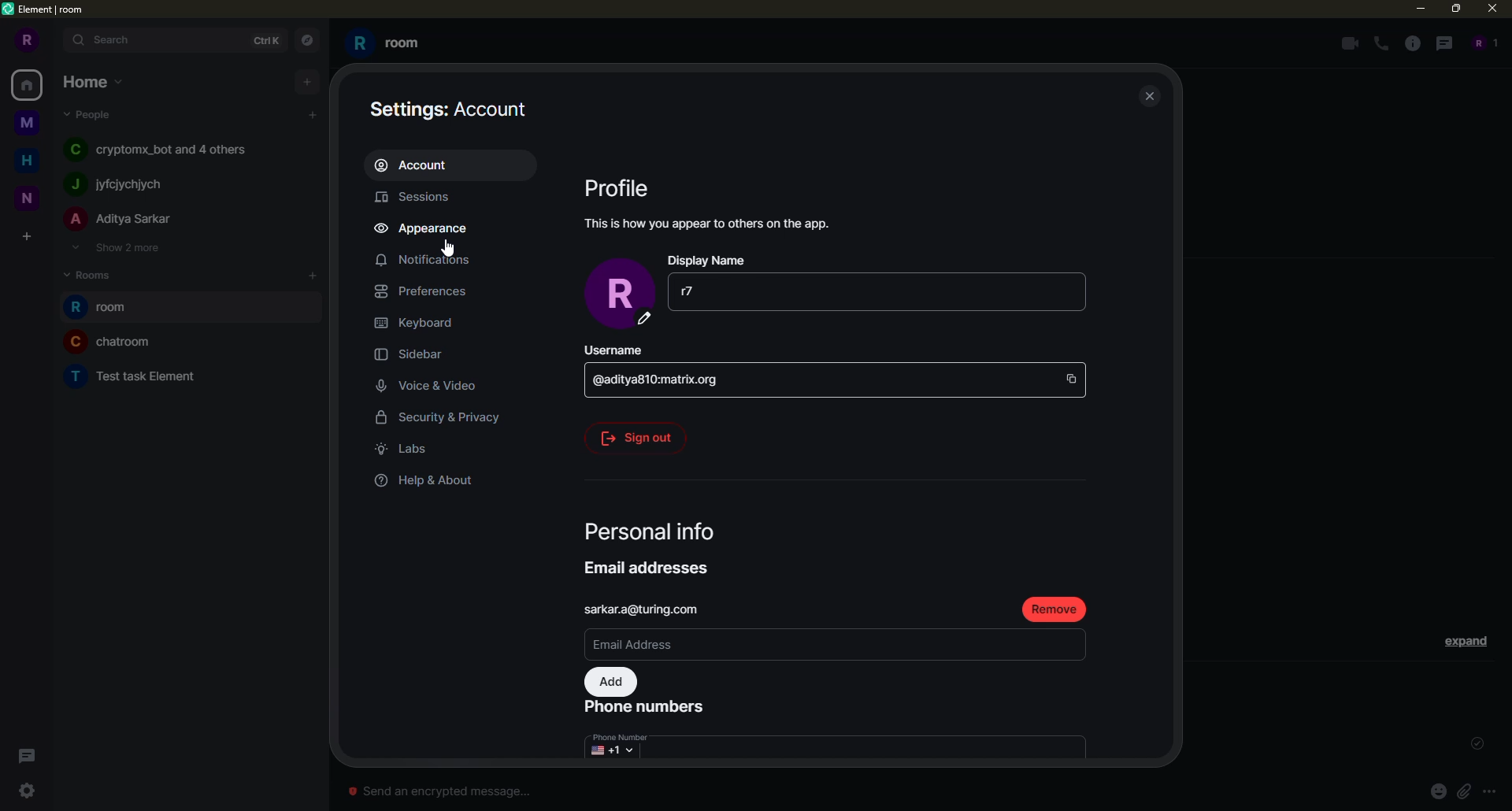 This screenshot has width=1512, height=811. What do you see at coordinates (662, 381) in the screenshot?
I see `id` at bounding box center [662, 381].